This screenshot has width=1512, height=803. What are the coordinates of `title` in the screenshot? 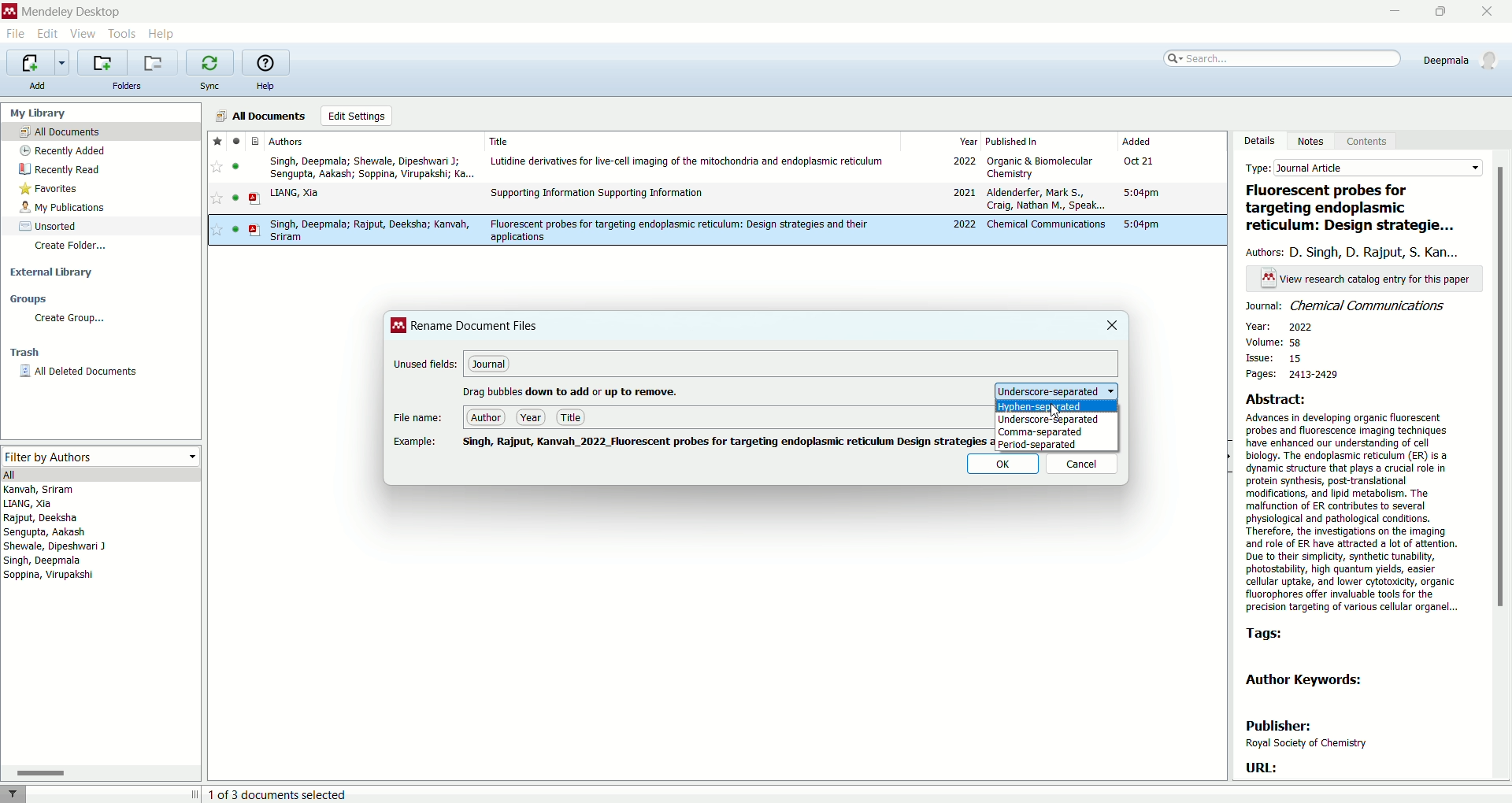 It's located at (687, 139).